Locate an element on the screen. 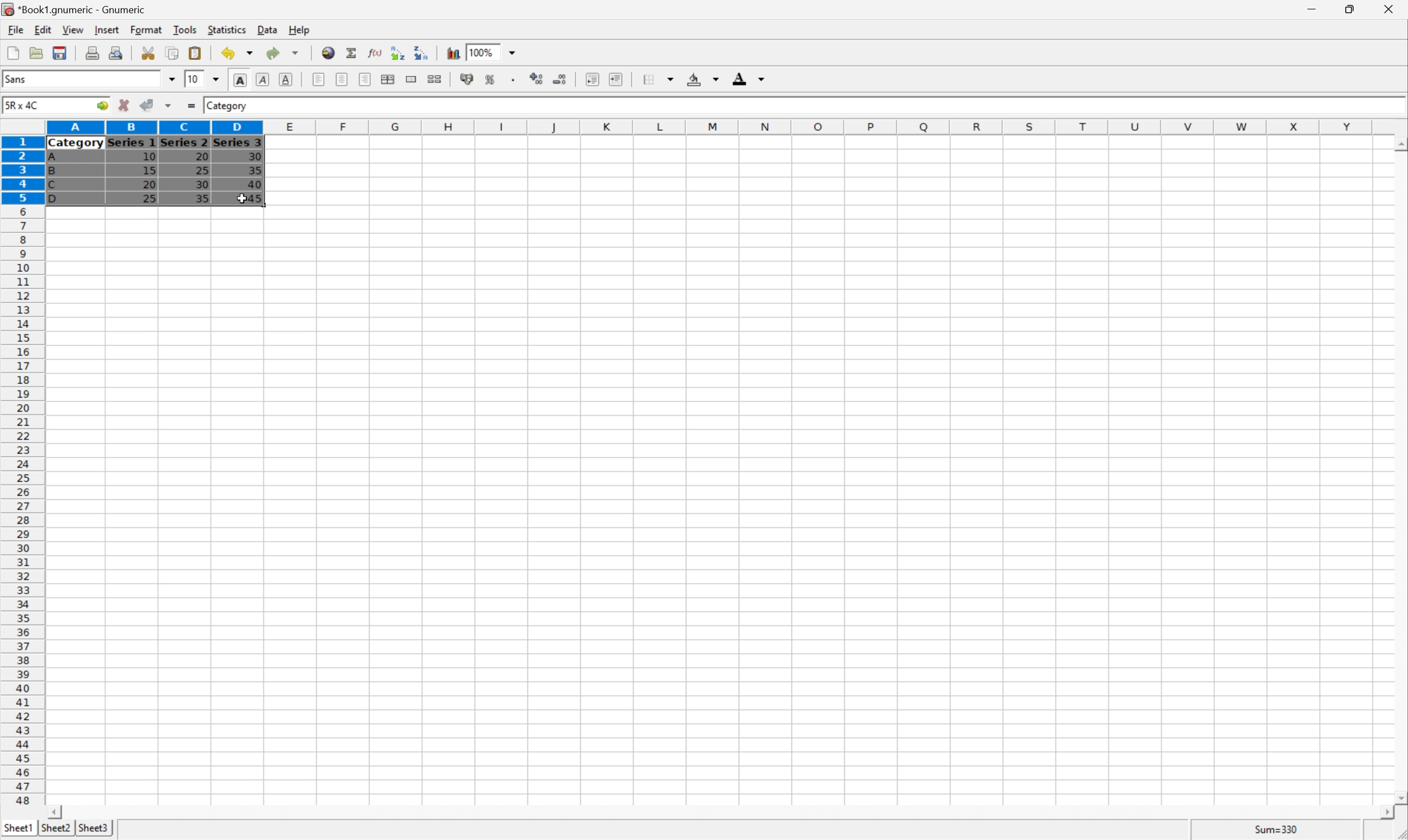 The image size is (1408, 840). B is located at coordinates (52, 172).